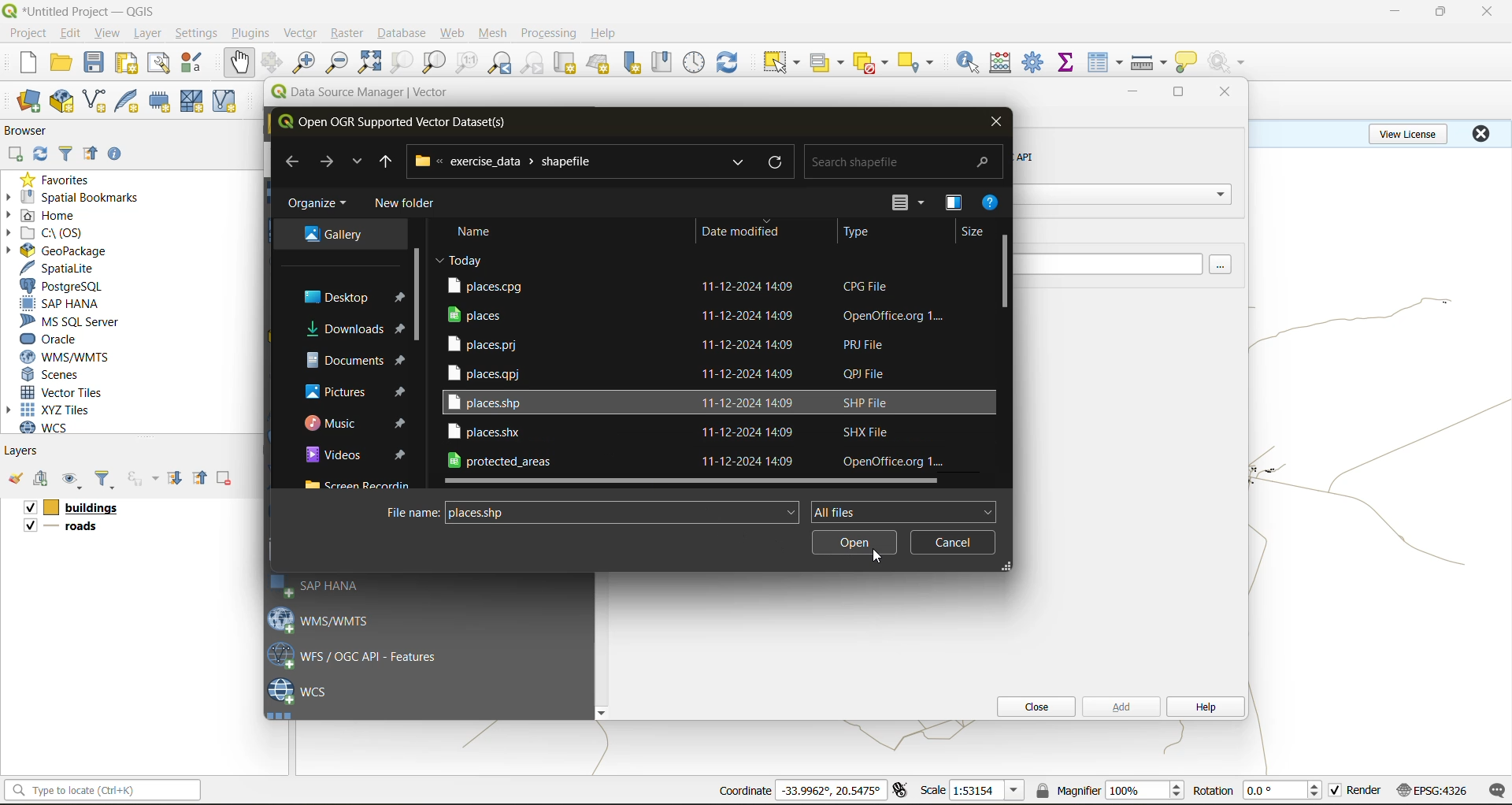  Describe the element at coordinates (511, 161) in the screenshot. I see `file path` at that location.